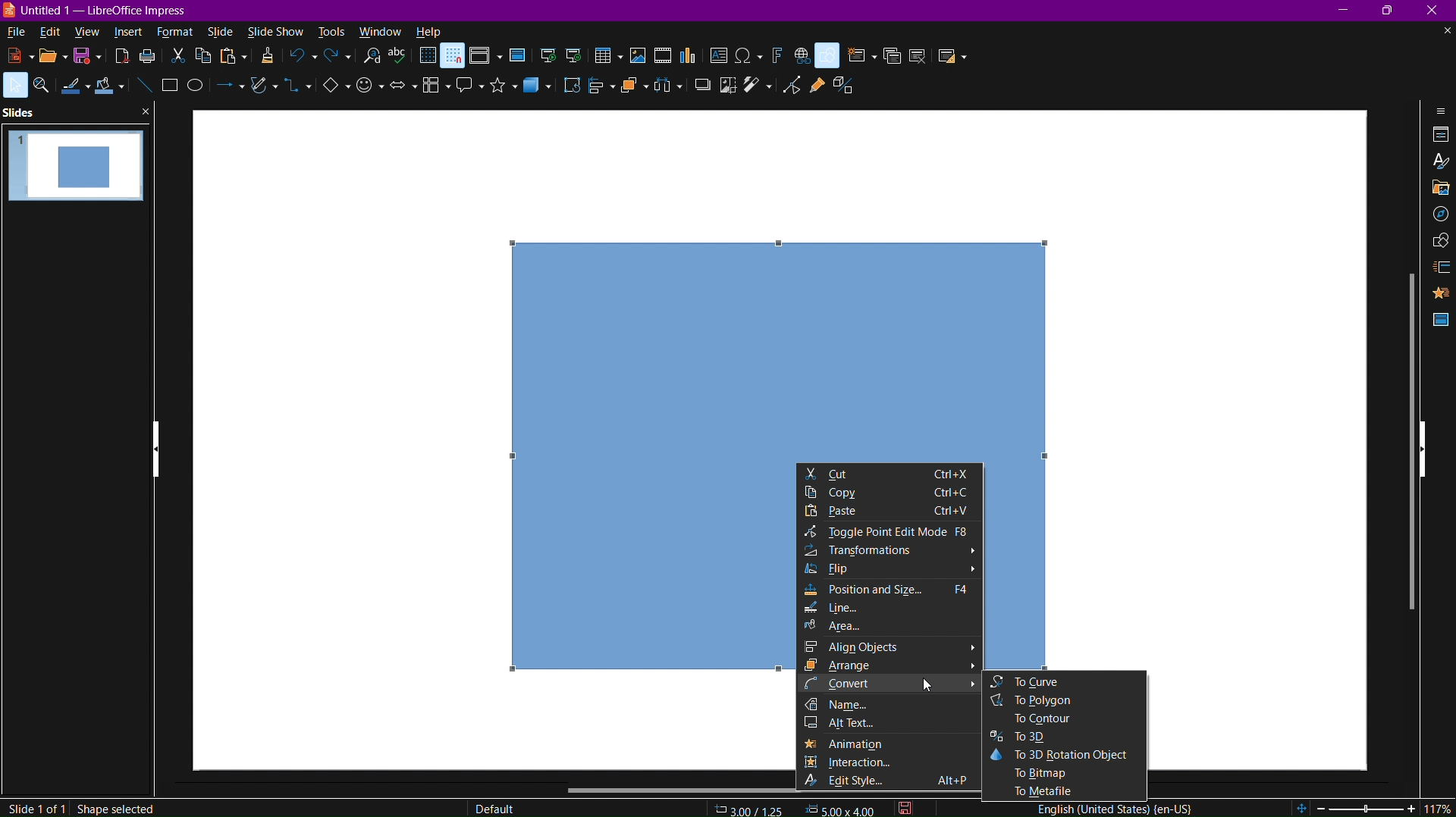  Describe the element at coordinates (1412, 808) in the screenshot. I see `zoom in` at that location.